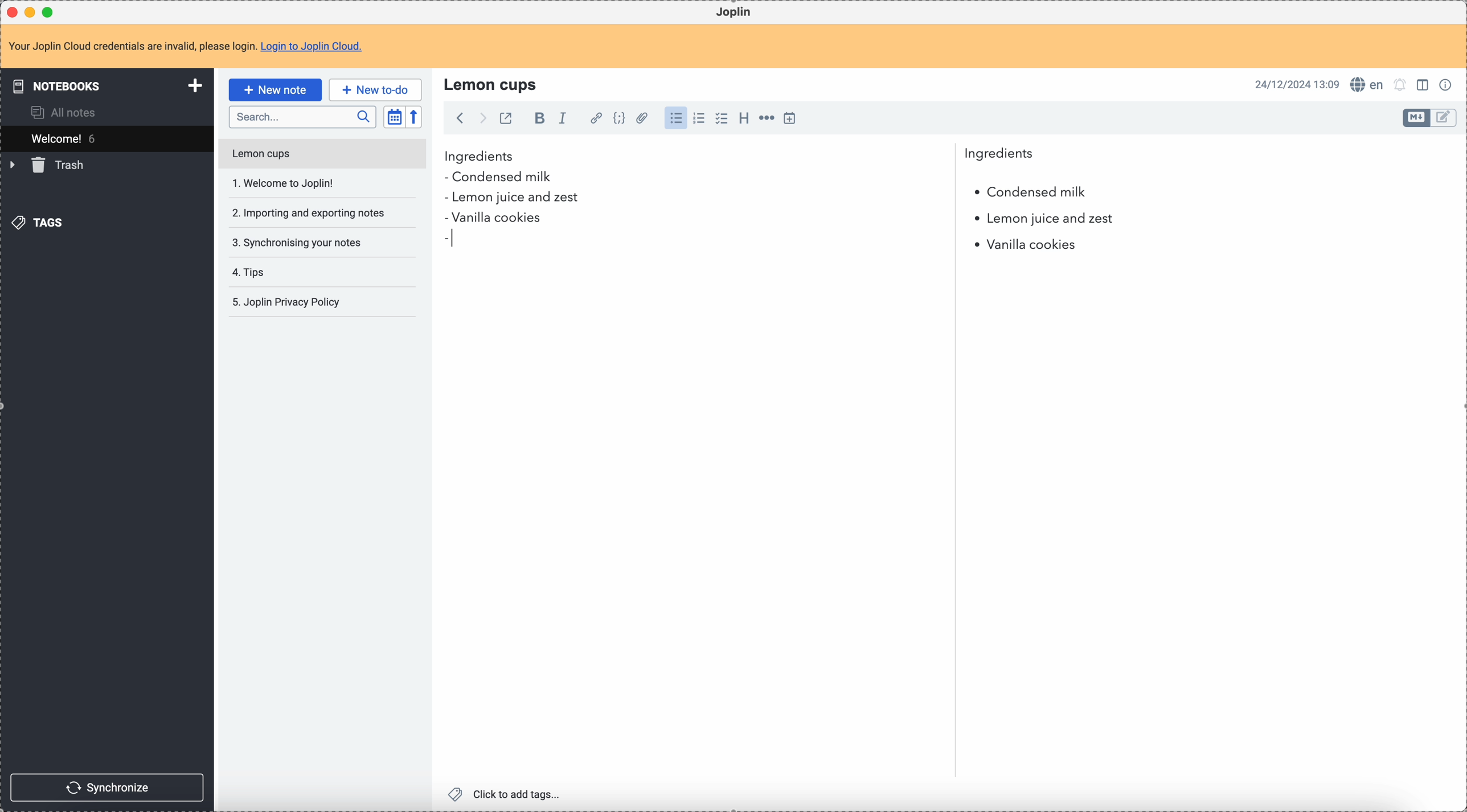  I want to click on heading, so click(744, 117).